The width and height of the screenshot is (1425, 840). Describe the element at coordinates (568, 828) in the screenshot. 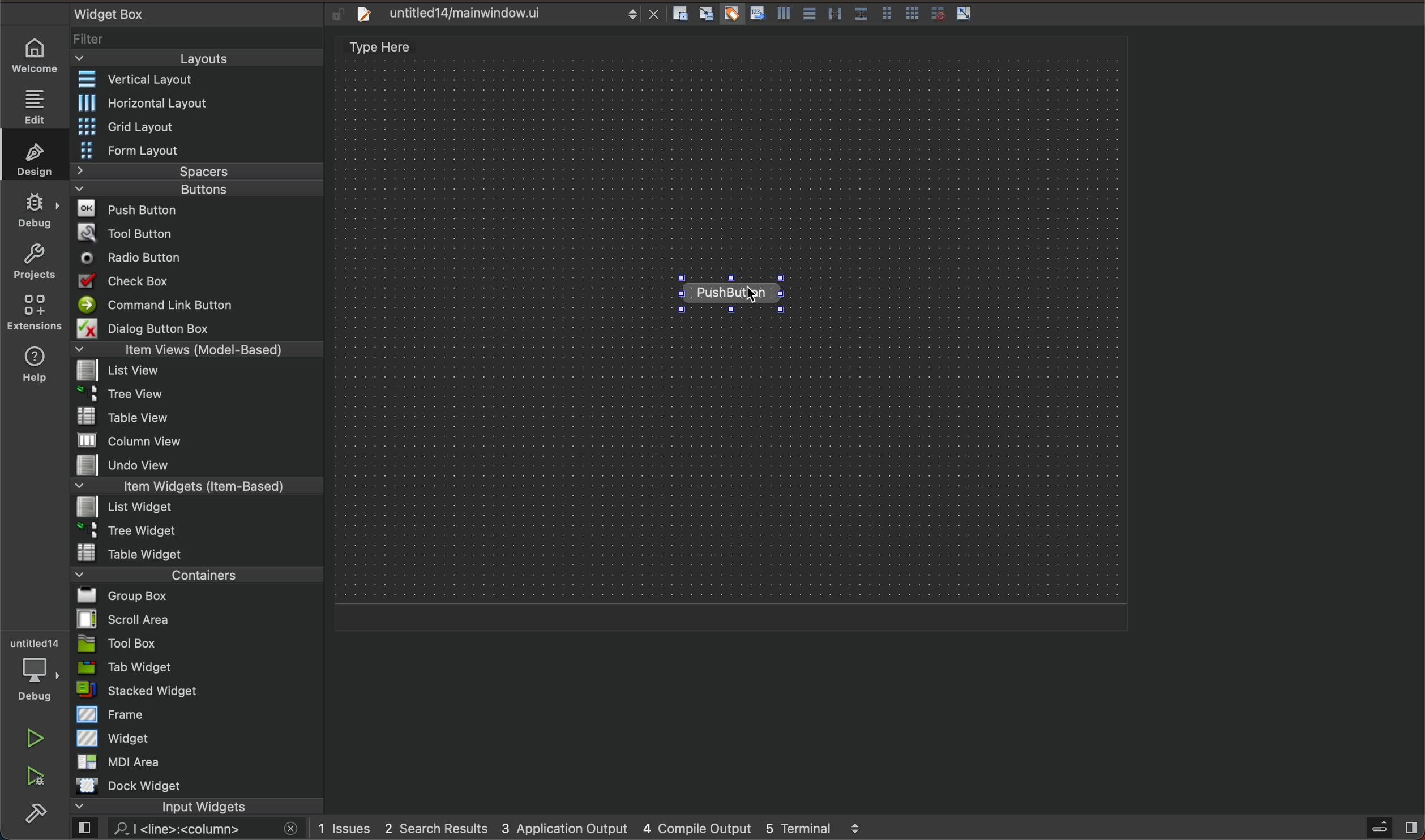

I see `3 application` at that location.